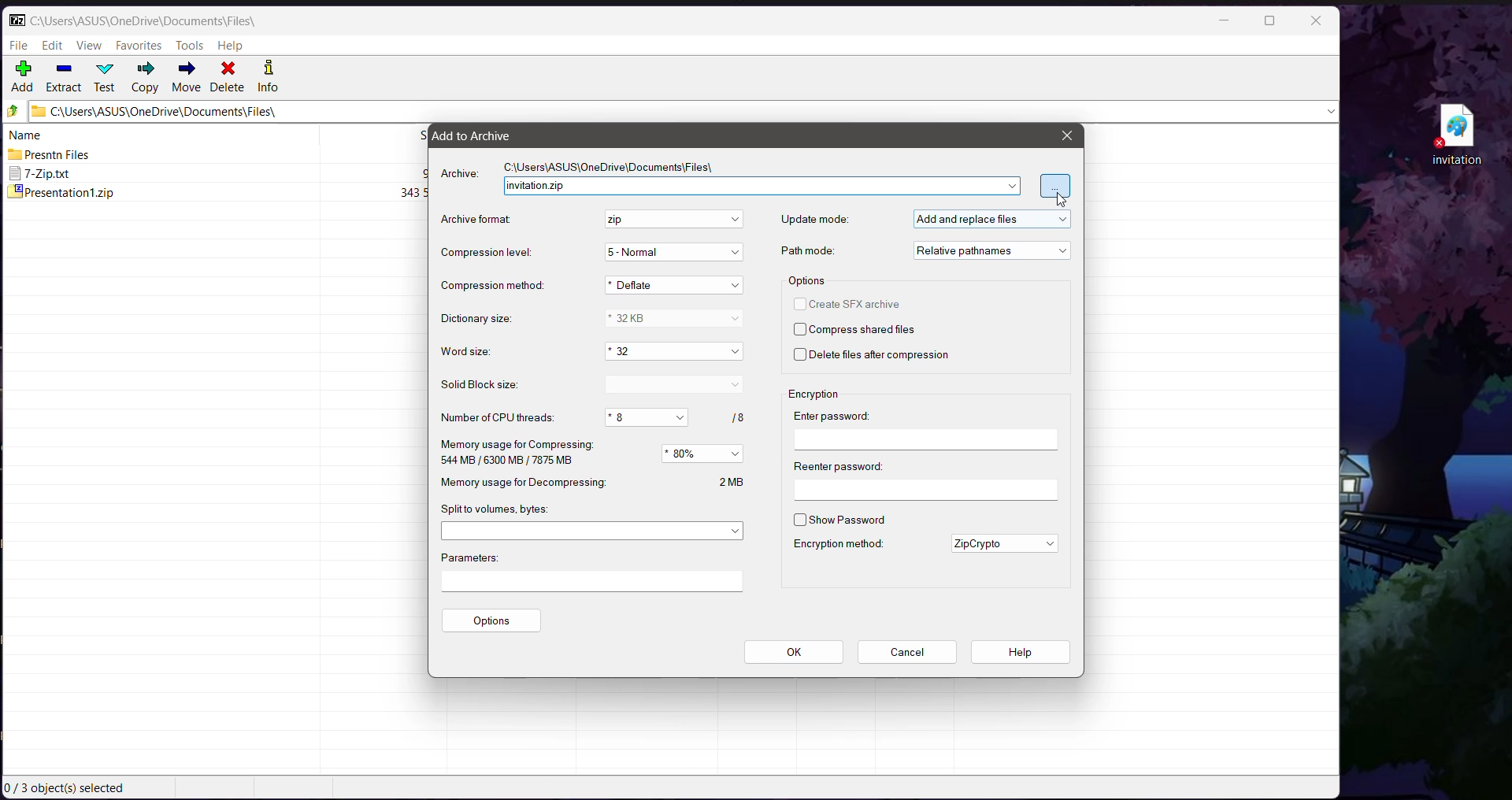 Image resolution: width=1512 pixels, height=800 pixels. I want to click on Current Folder Path, so click(143, 20).